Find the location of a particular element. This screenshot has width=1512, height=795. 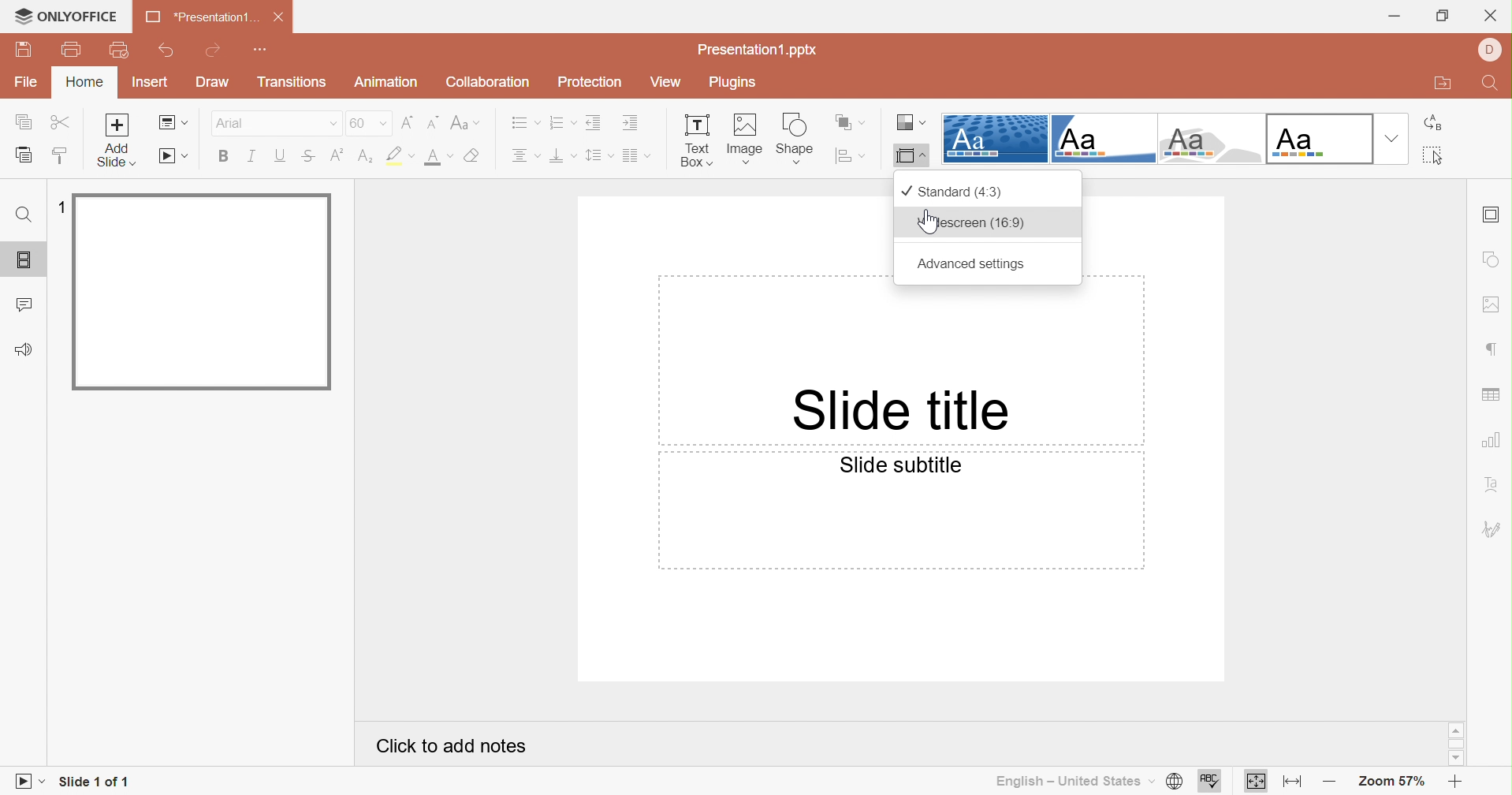

Italic is located at coordinates (252, 156).